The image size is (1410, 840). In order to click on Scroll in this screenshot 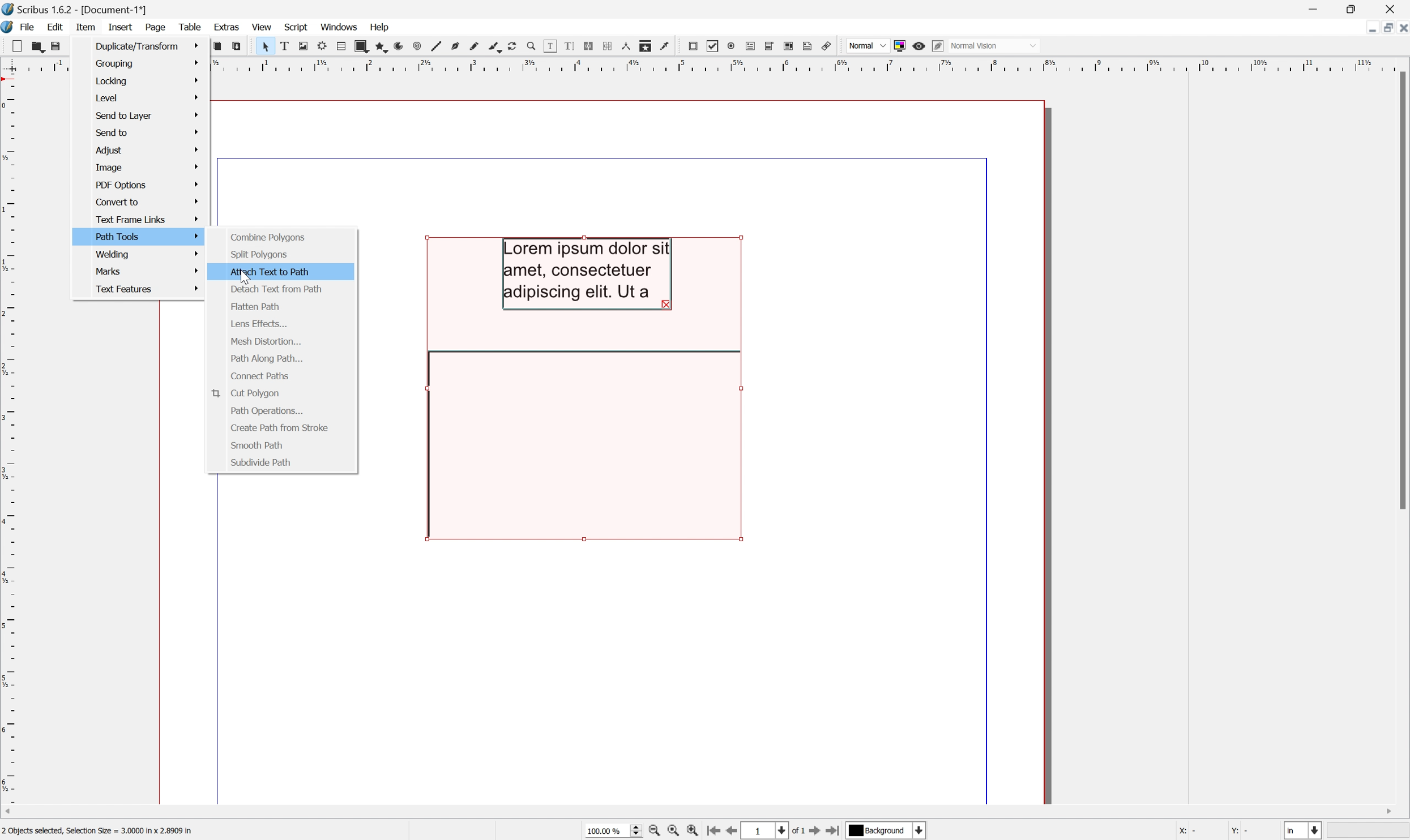, I will do `click(700, 813)`.